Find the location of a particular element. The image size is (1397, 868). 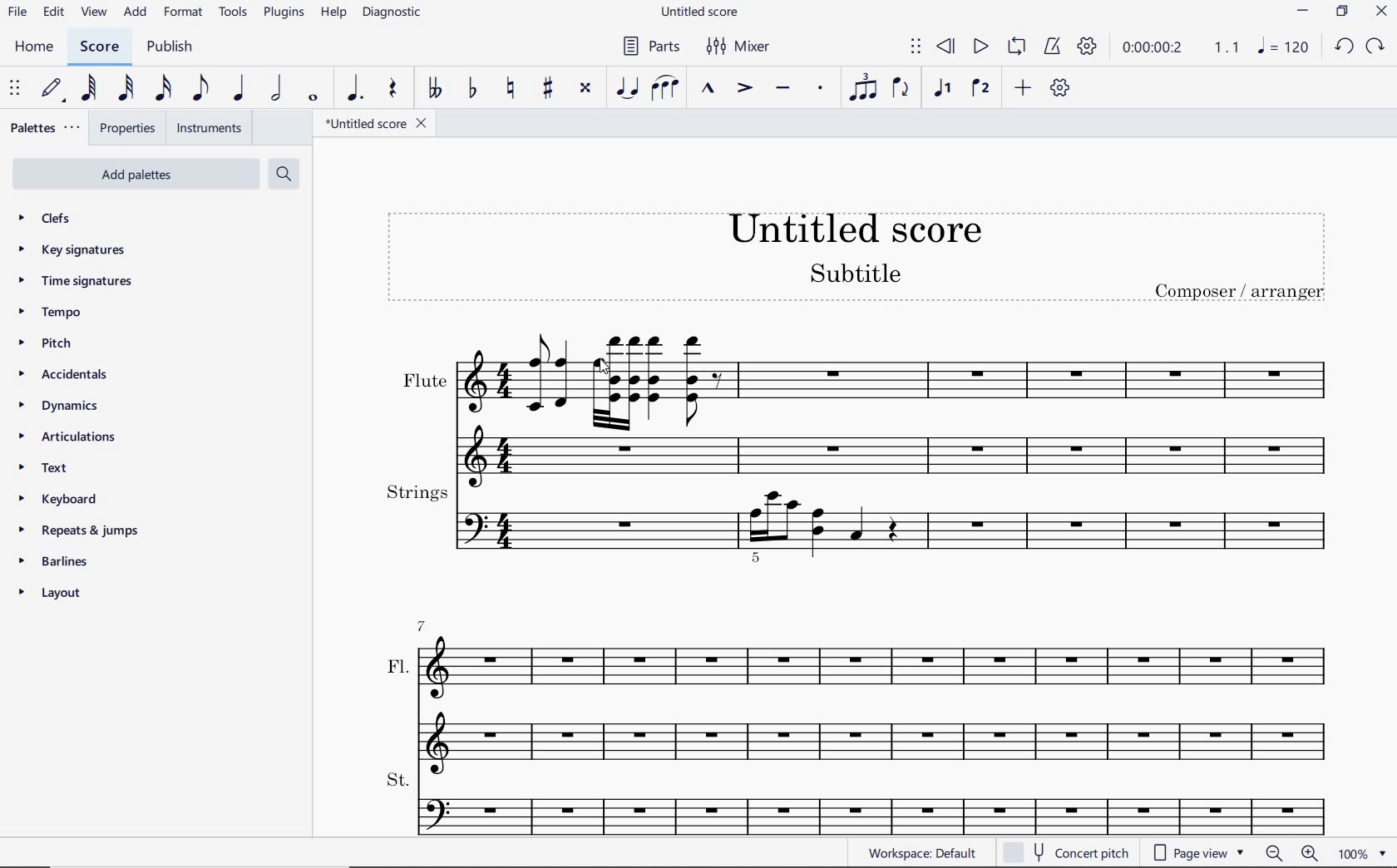

pitch is located at coordinates (74, 341).